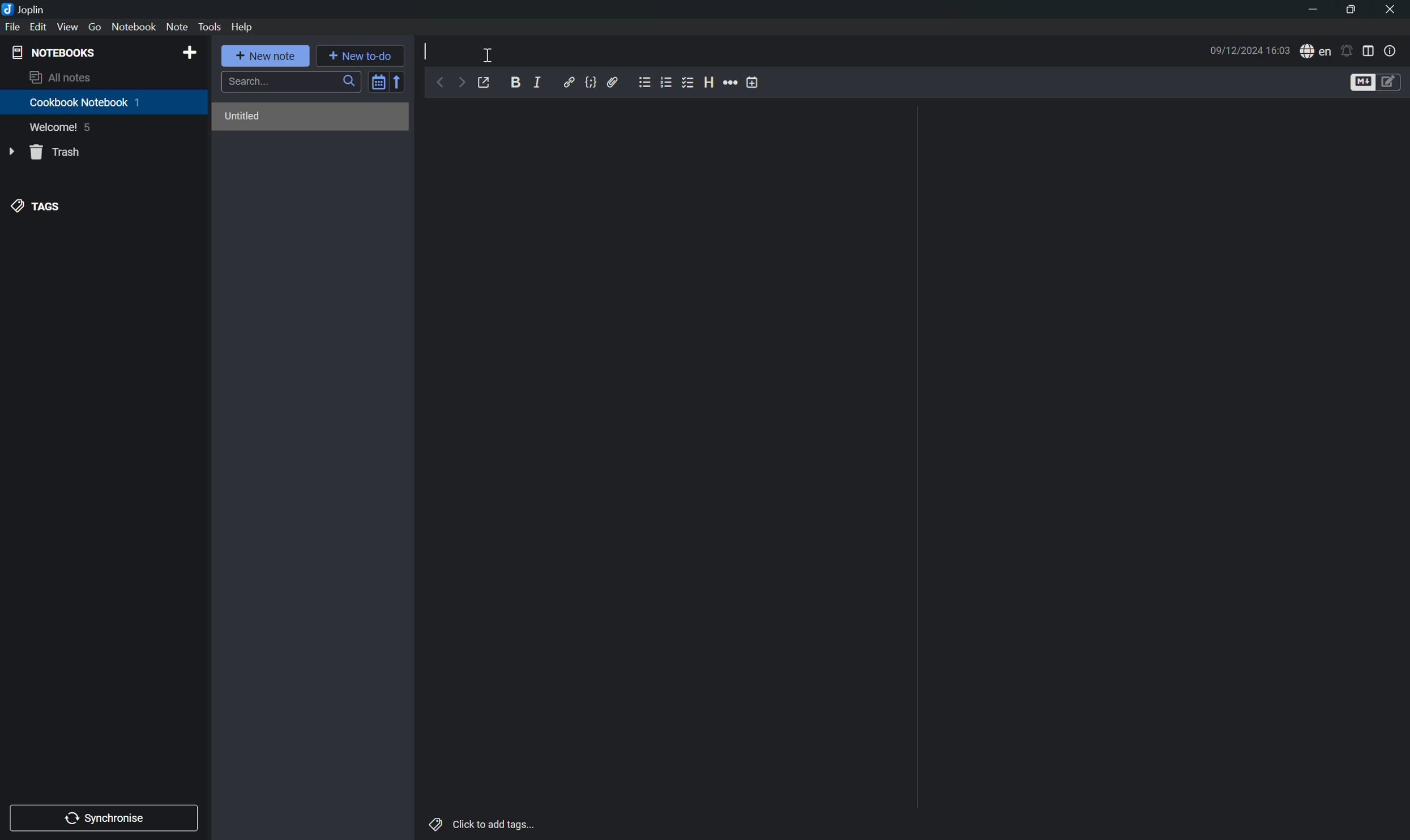 The height and width of the screenshot is (840, 1410). Describe the element at coordinates (290, 82) in the screenshot. I see `Search` at that location.